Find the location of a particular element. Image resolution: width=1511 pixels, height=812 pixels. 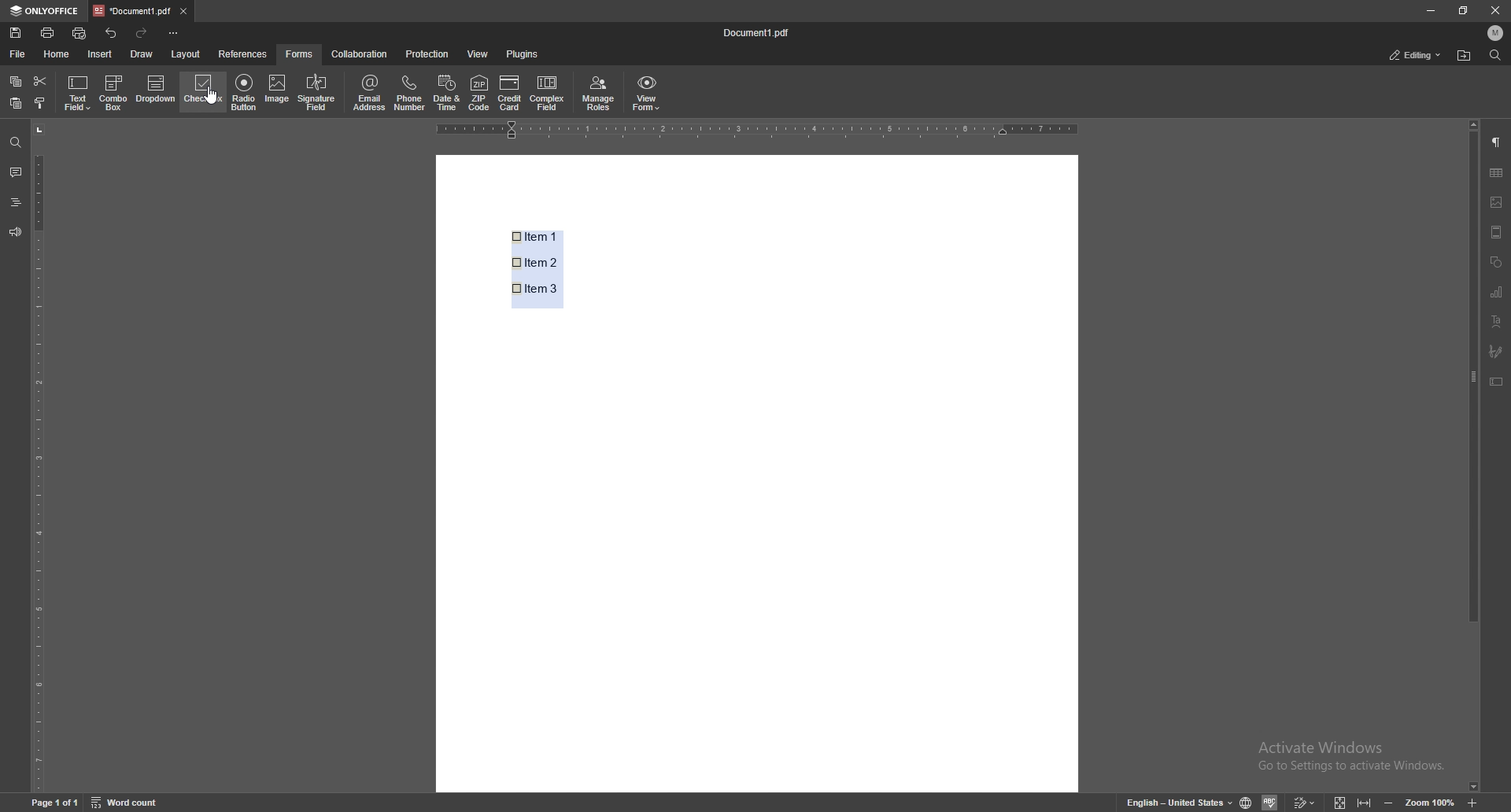

page is located at coordinates (54, 802).